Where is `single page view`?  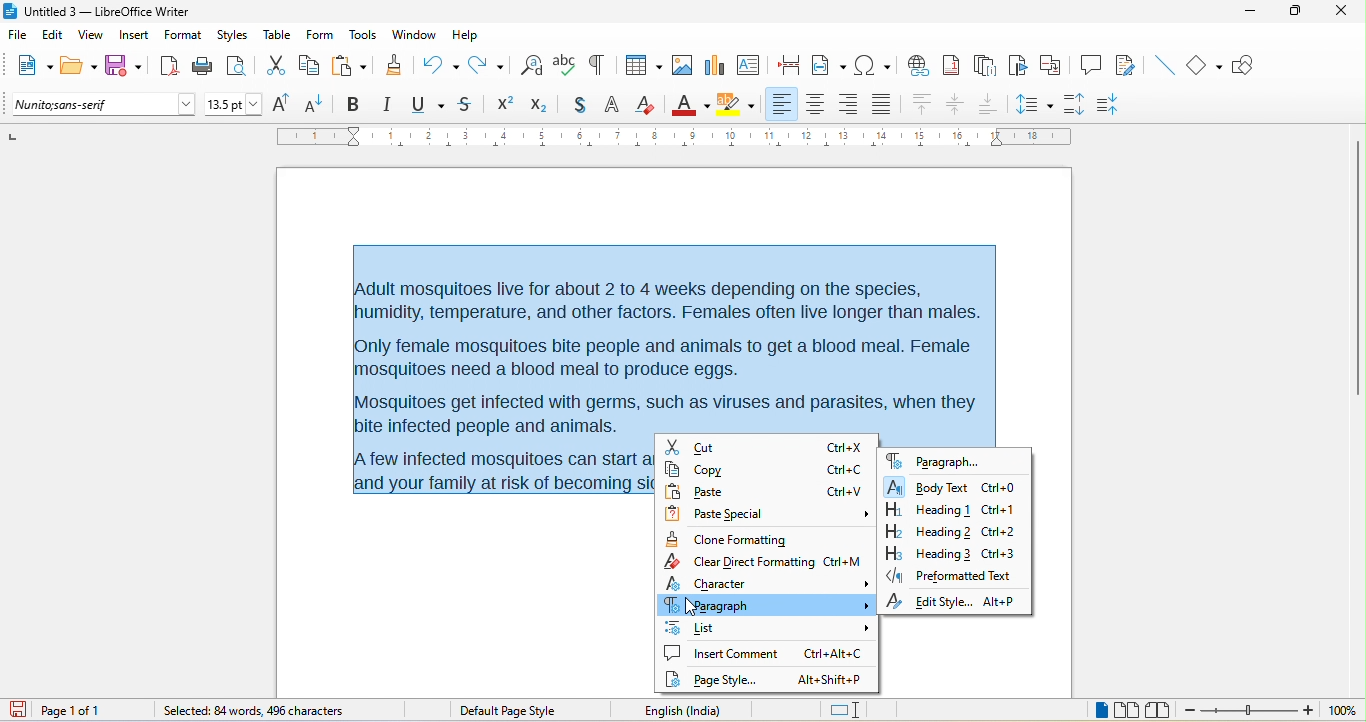
single page view is located at coordinates (1092, 711).